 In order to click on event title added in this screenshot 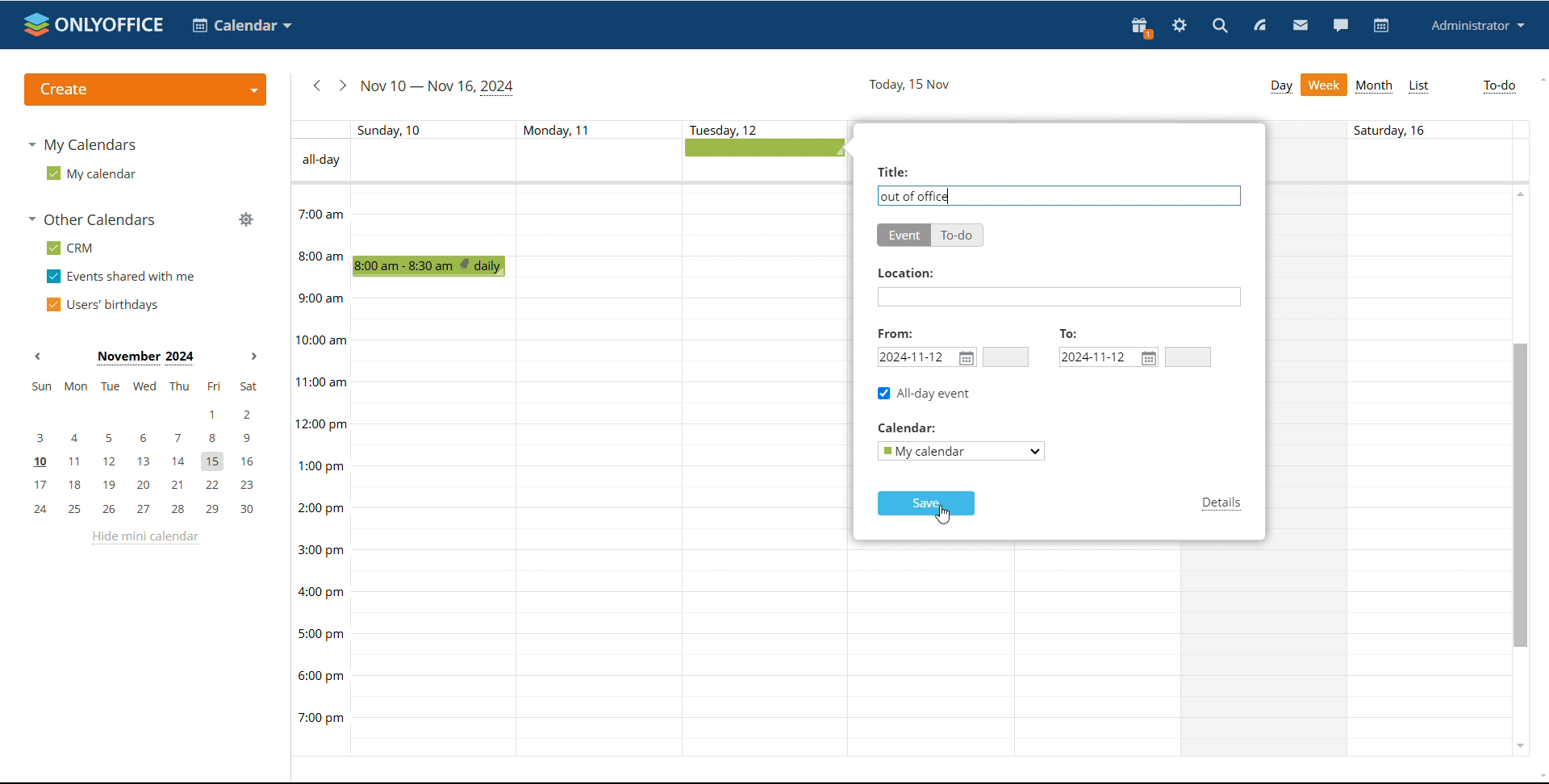, I will do `click(916, 196)`.